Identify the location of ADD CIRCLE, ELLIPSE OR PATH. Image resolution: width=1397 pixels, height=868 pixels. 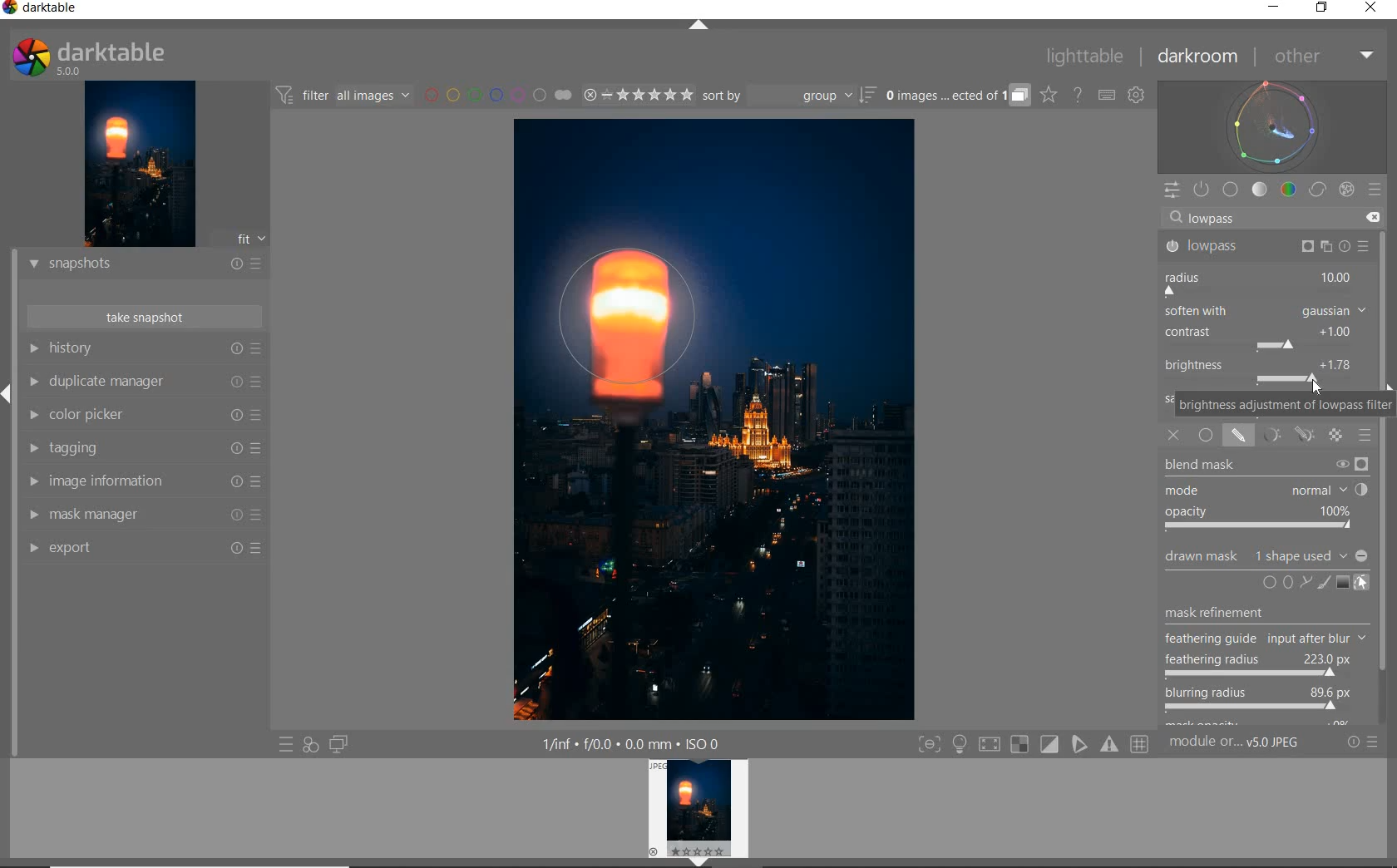
(1284, 581).